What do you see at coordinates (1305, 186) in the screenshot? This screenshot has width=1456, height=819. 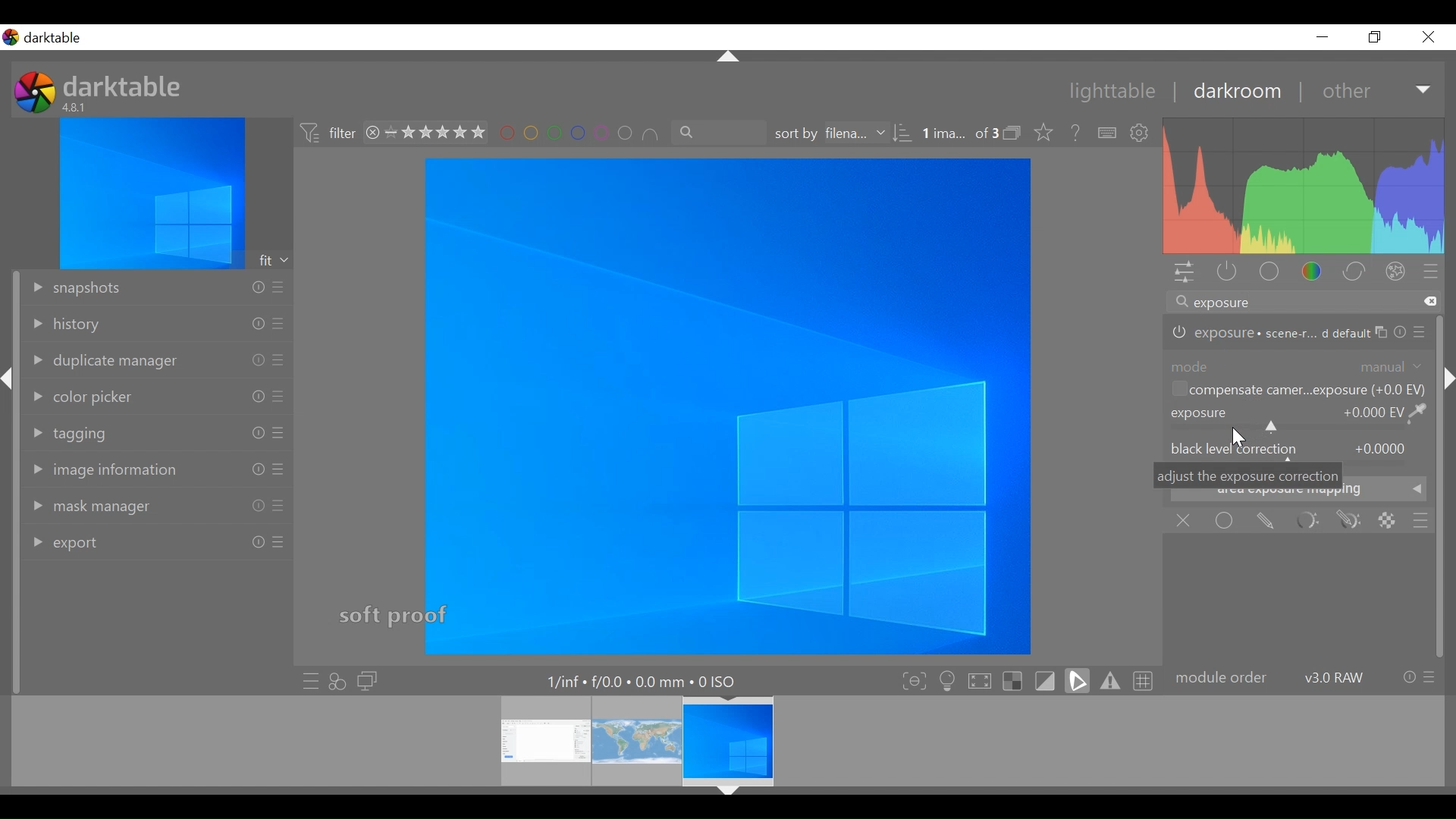 I see `histogram` at bounding box center [1305, 186].